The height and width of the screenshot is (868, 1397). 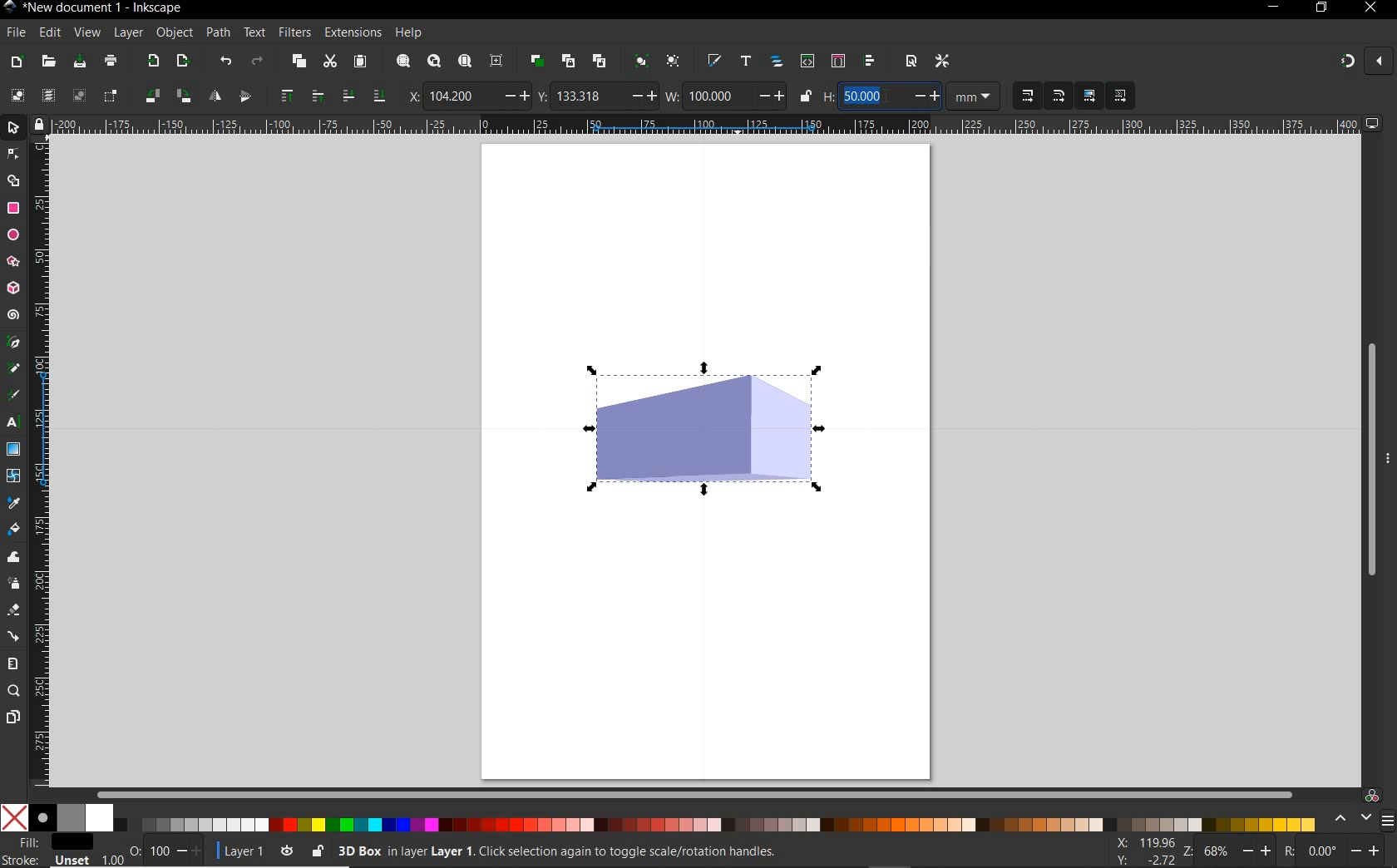 What do you see at coordinates (464, 60) in the screenshot?
I see `zoom page` at bounding box center [464, 60].